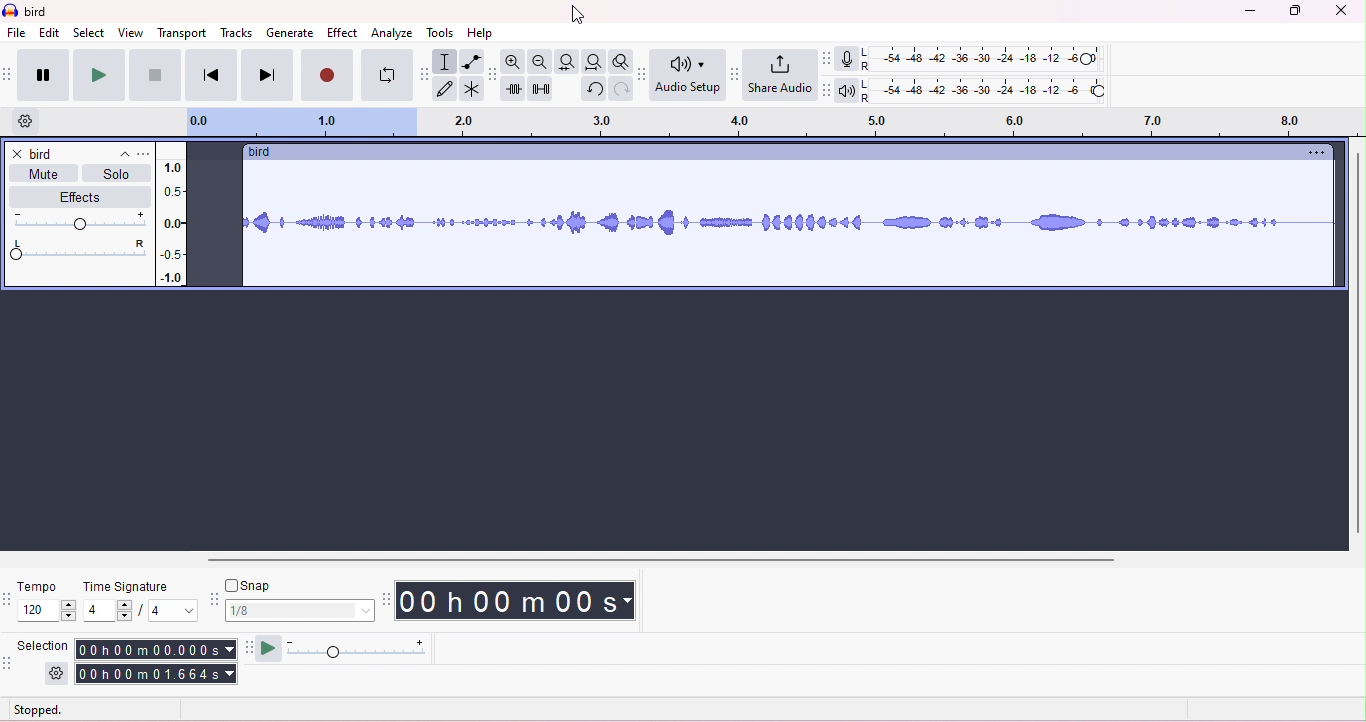  Describe the element at coordinates (1296, 12) in the screenshot. I see `maximize` at that location.